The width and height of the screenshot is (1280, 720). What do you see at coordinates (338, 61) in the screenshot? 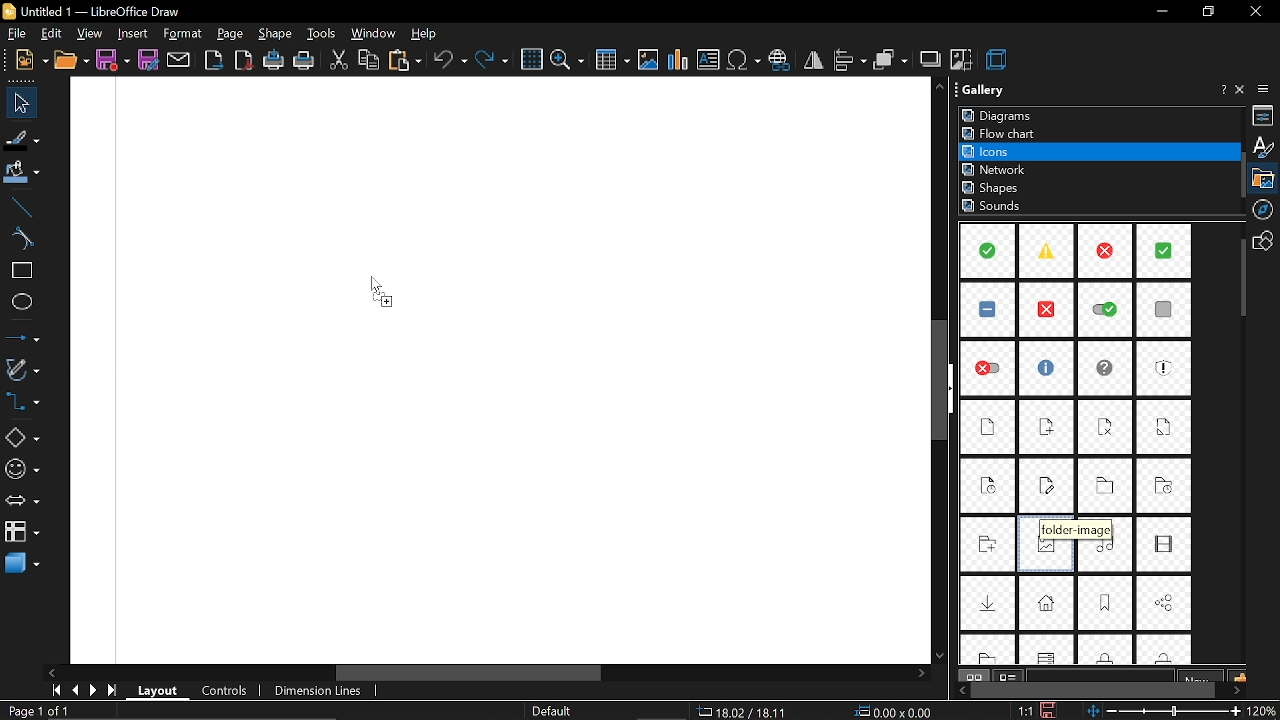
I see `cut` at bounding box center [338, 61].